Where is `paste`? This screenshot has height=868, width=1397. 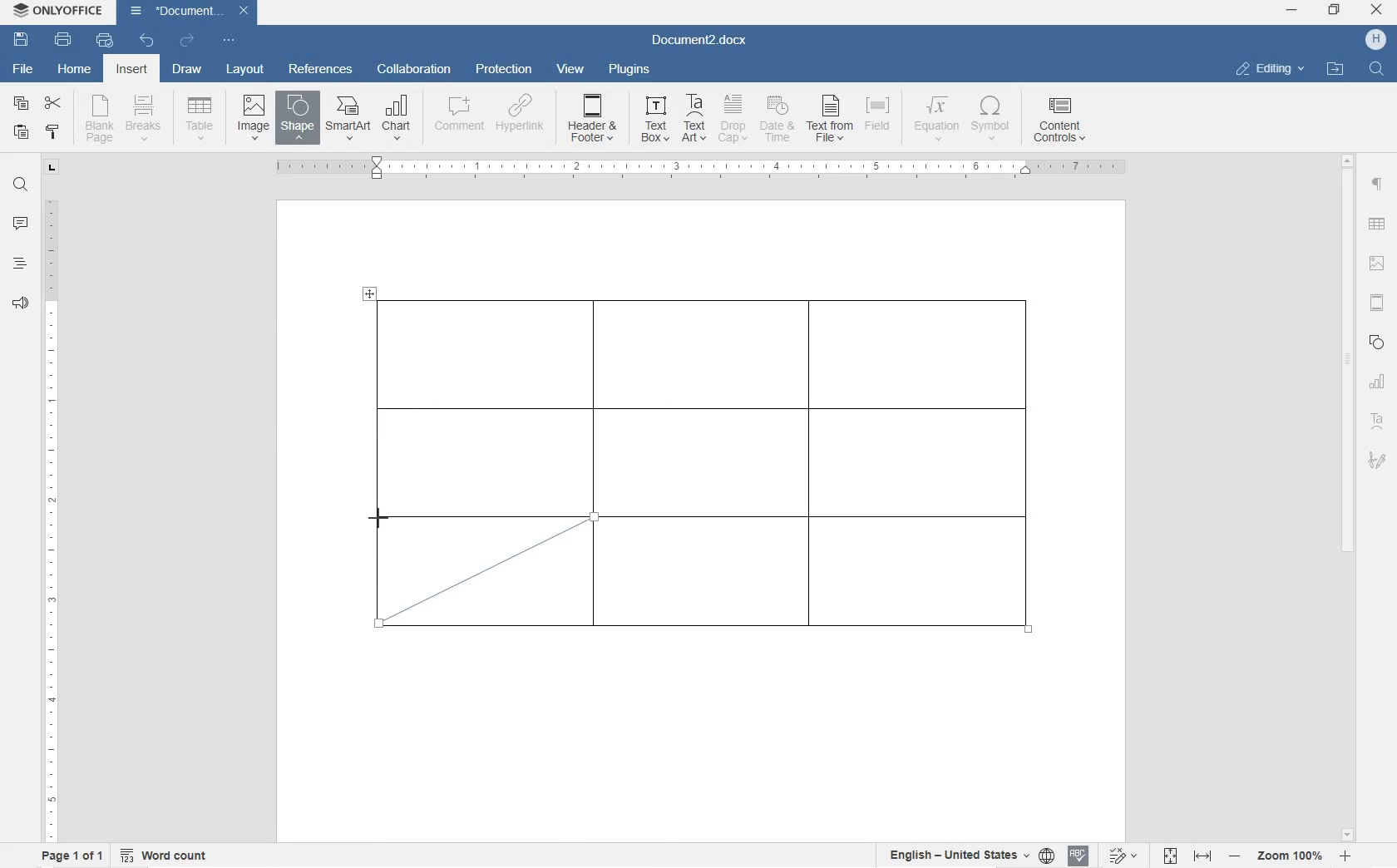 paste is located at coordinates (22, 132).